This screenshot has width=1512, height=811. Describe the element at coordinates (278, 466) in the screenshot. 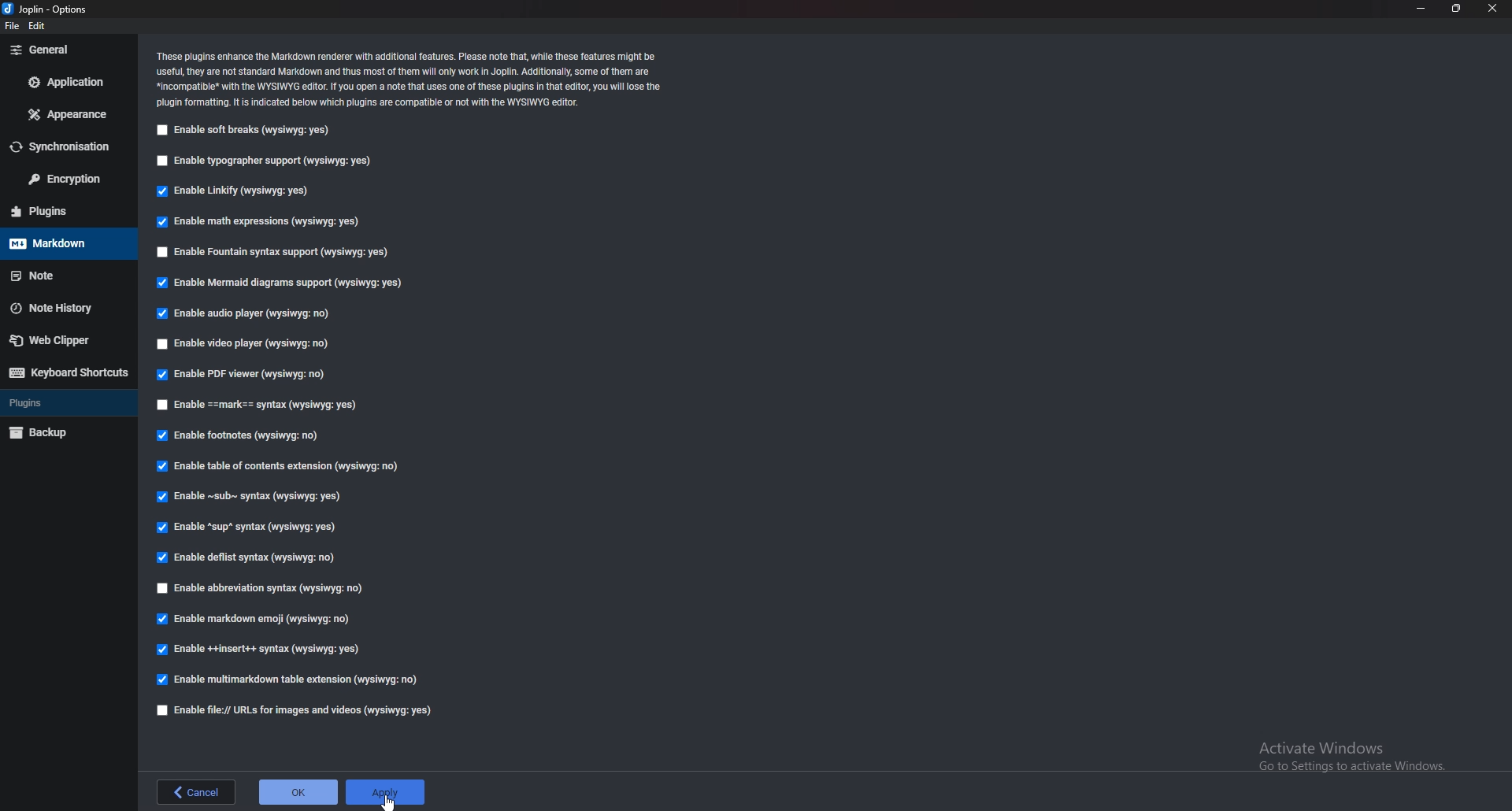

I see `Enable table of contents extension (wysiqyg:no)` at that location.